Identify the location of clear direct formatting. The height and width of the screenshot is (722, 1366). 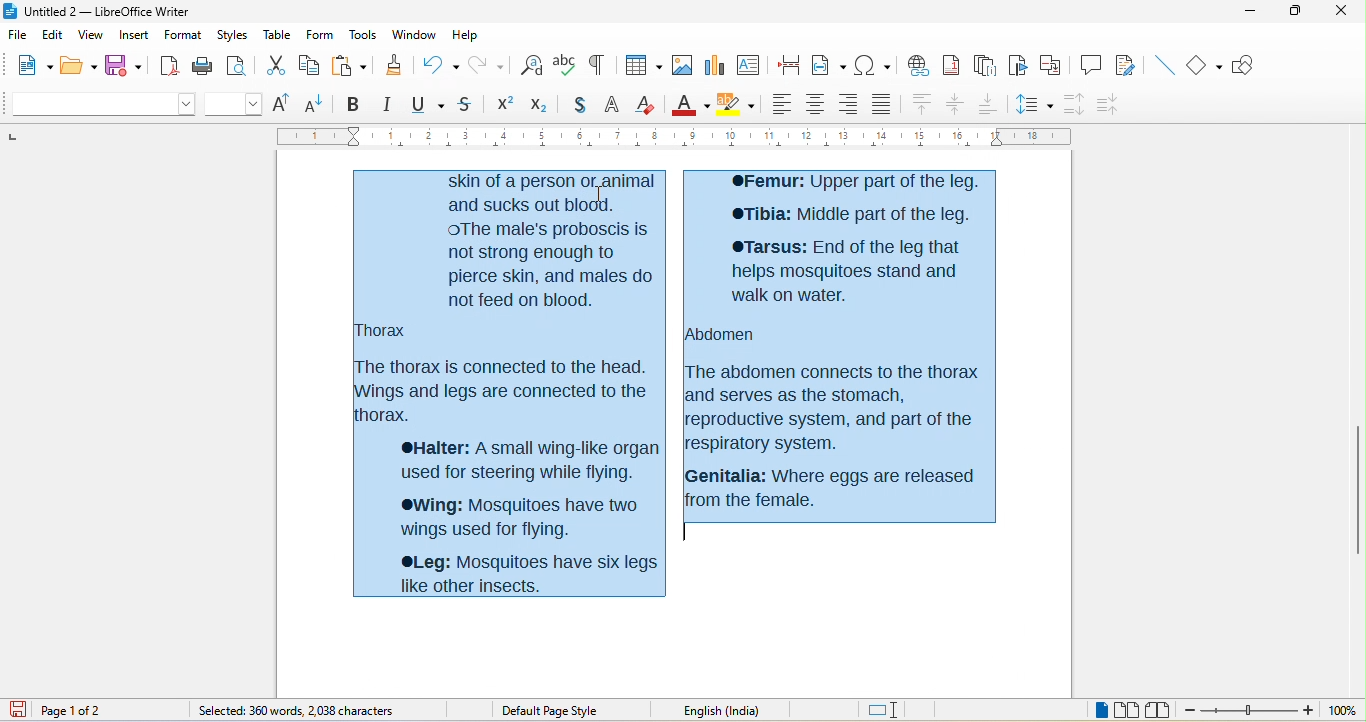
(647, 102).